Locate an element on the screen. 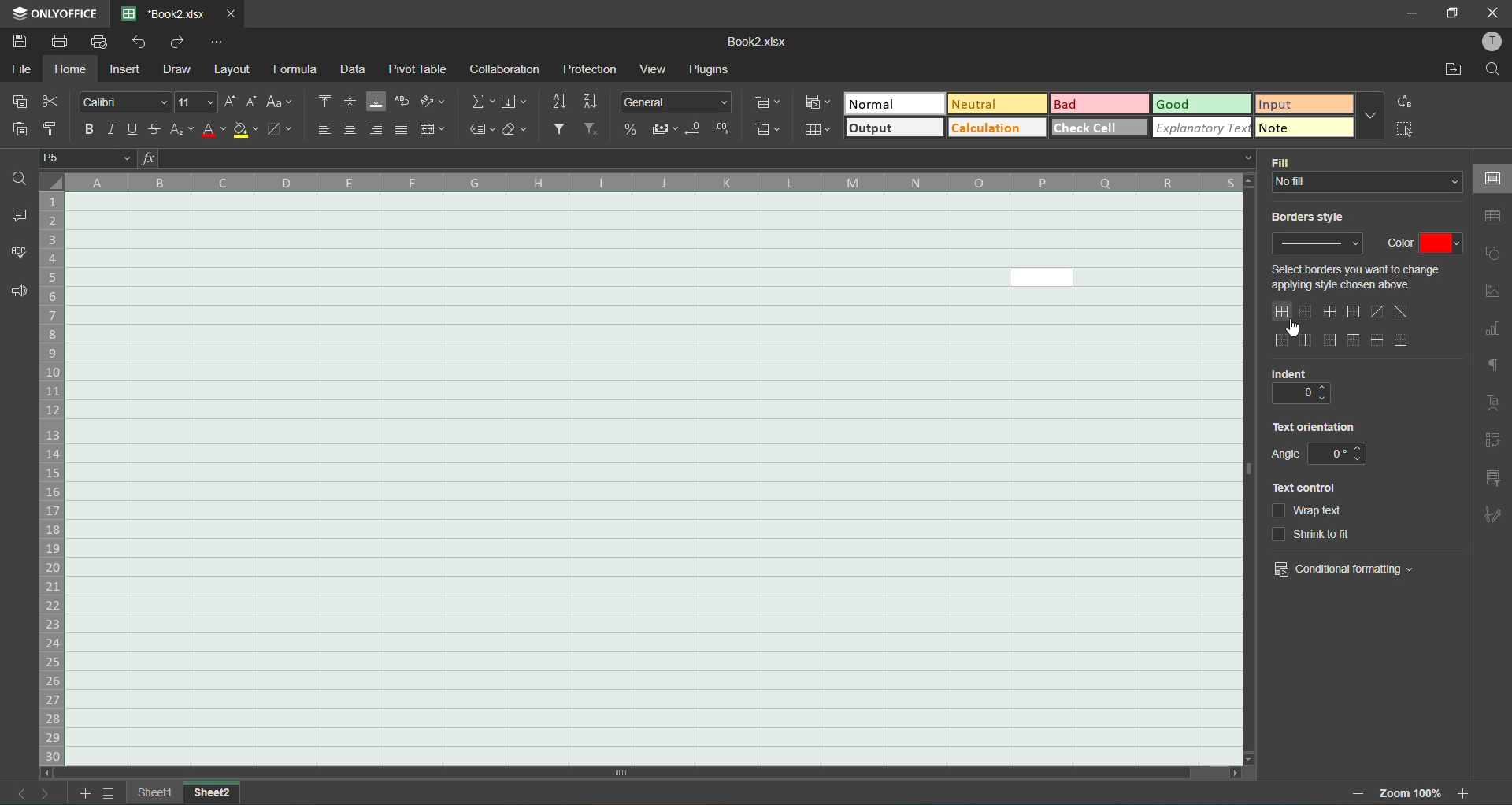 Image resolution: width=1512 pixels, height=805 pixels. neutral is located at coordinates (1000, 105).